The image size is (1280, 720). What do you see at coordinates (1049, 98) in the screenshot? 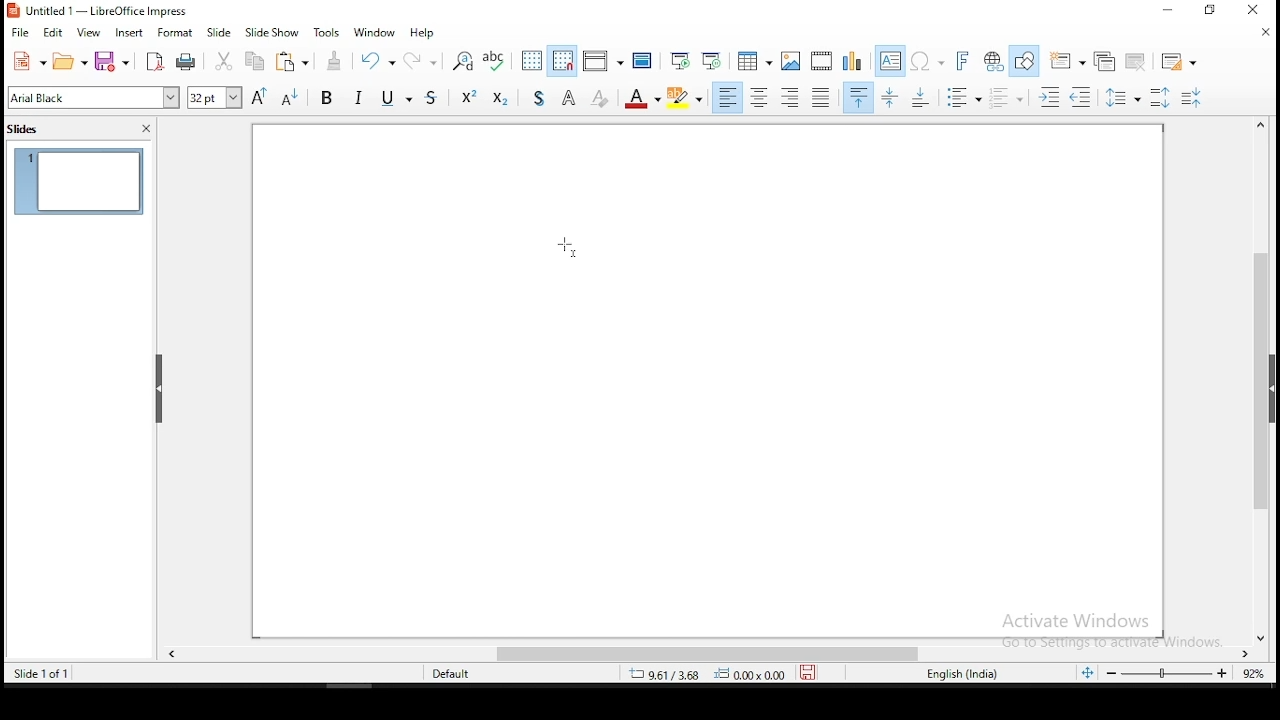
I see `Increase Indent` at bounding box center [1049, 98].